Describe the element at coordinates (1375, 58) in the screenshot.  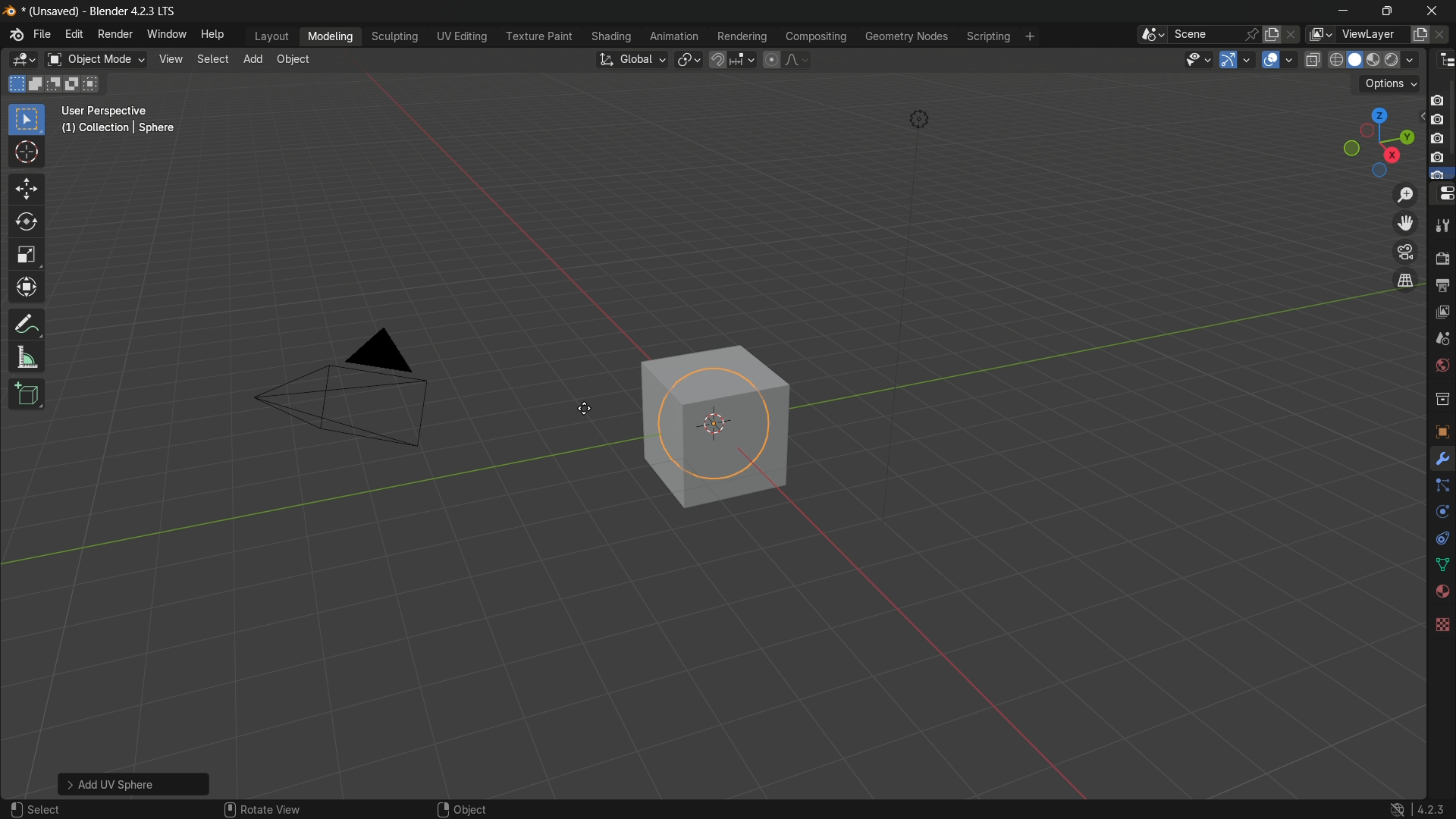
I see `material preview display` at that location.